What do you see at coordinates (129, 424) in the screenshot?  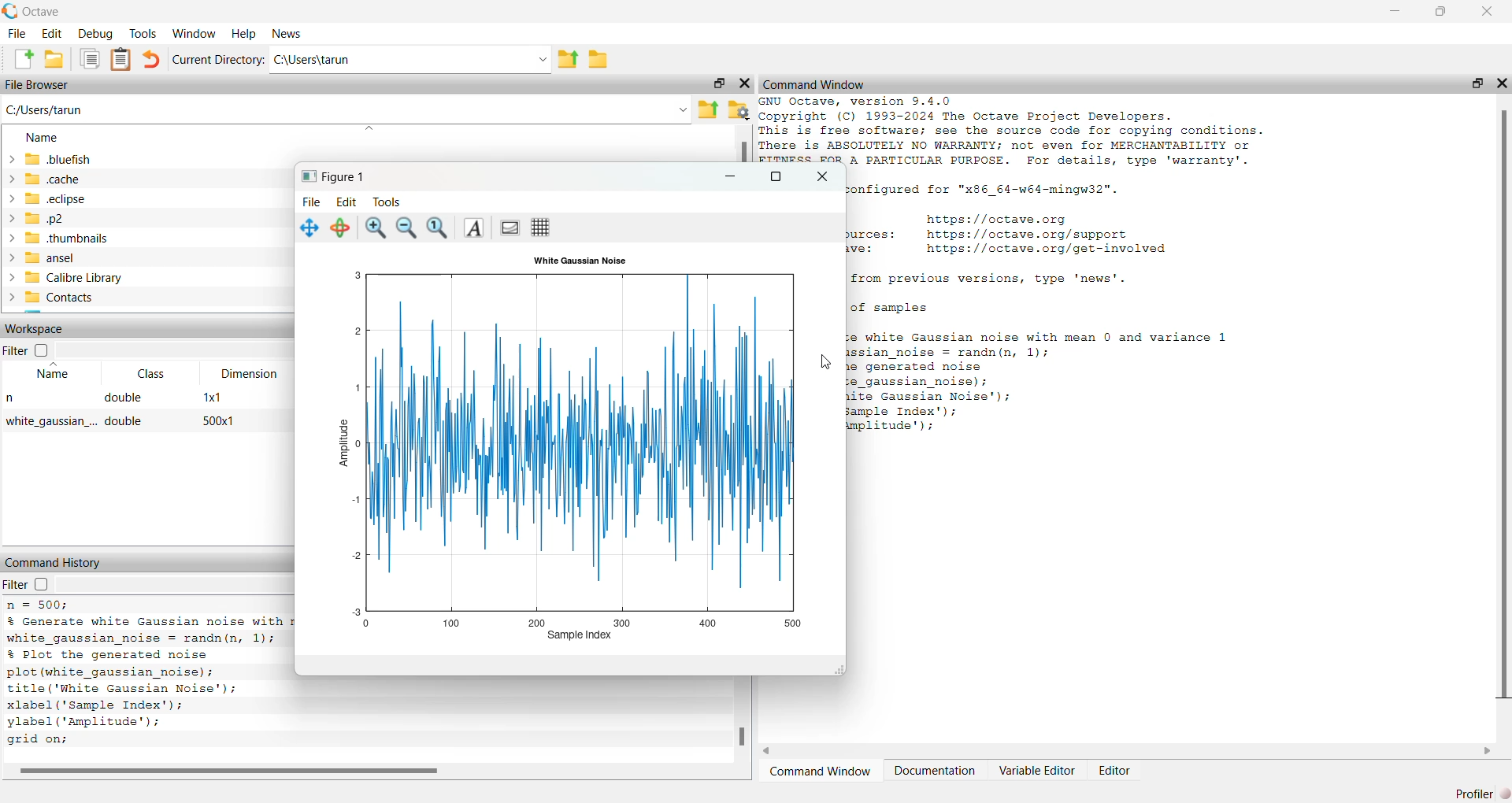 I see `double` at bounding box center [129, 424].